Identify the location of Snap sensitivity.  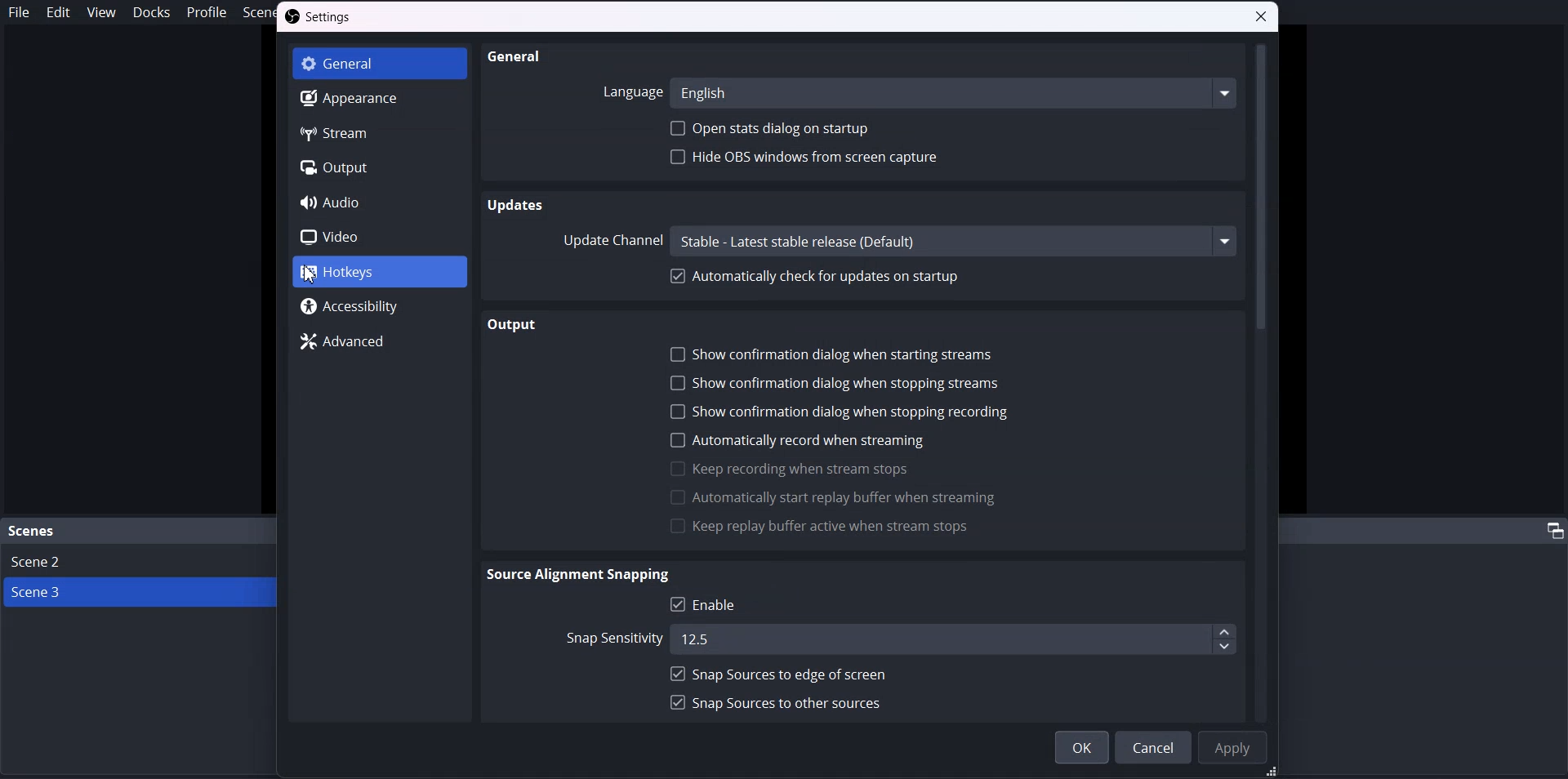
(899, 639).